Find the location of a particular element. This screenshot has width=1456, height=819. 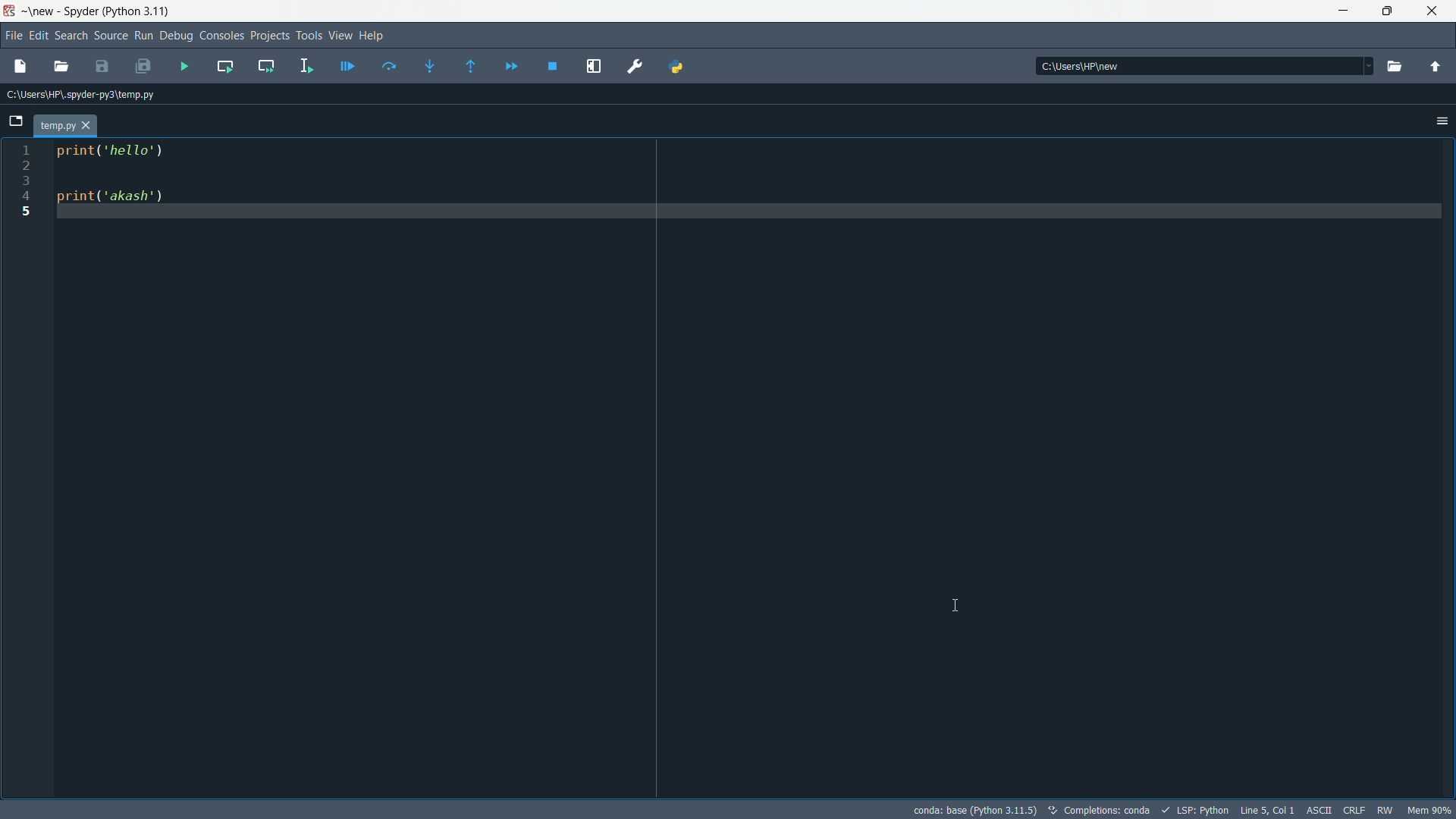

source menu is located at coordinates (111, 36).